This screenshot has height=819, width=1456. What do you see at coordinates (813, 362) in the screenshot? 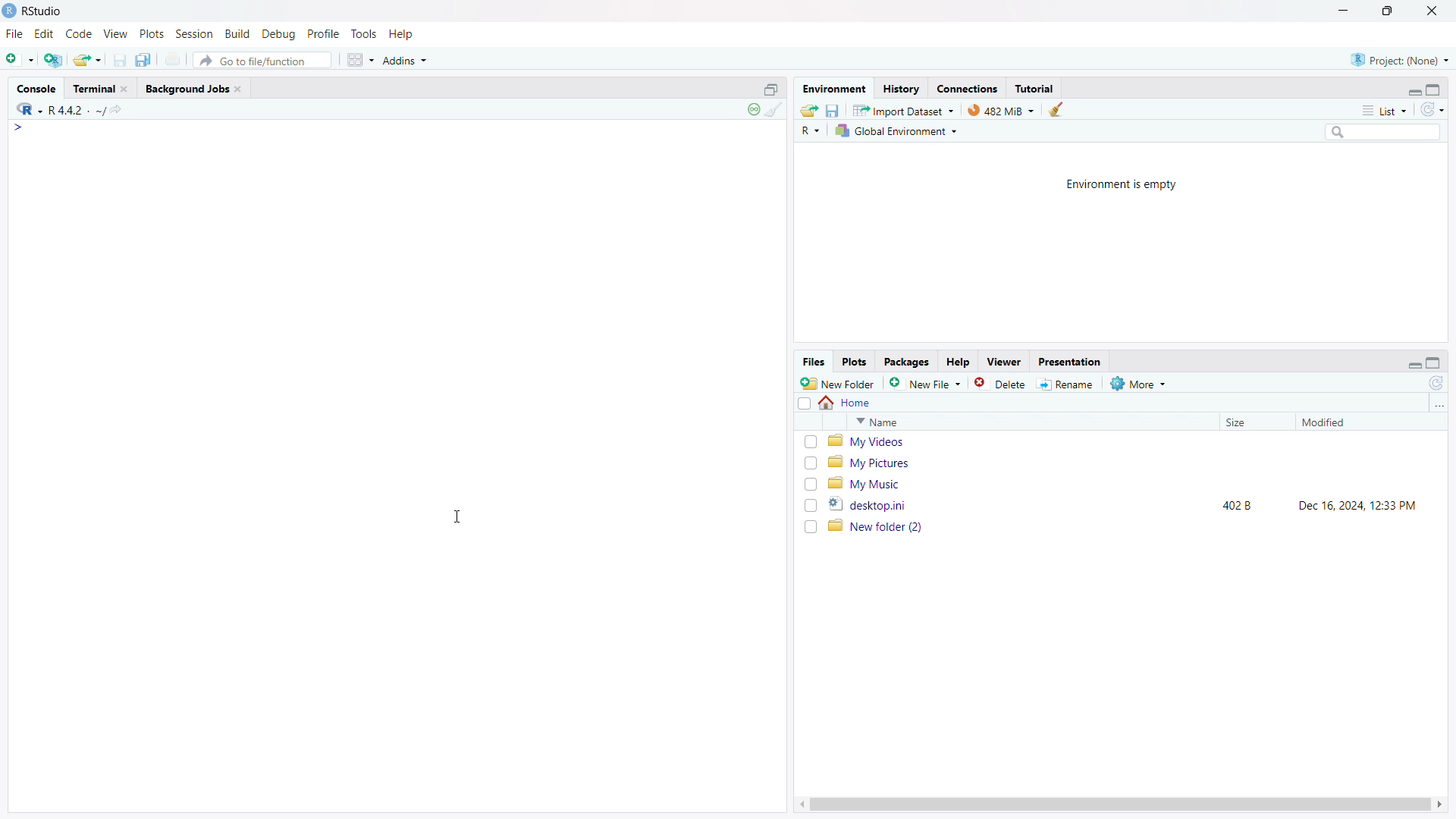
I see `files` at bounding box center [813, 362].